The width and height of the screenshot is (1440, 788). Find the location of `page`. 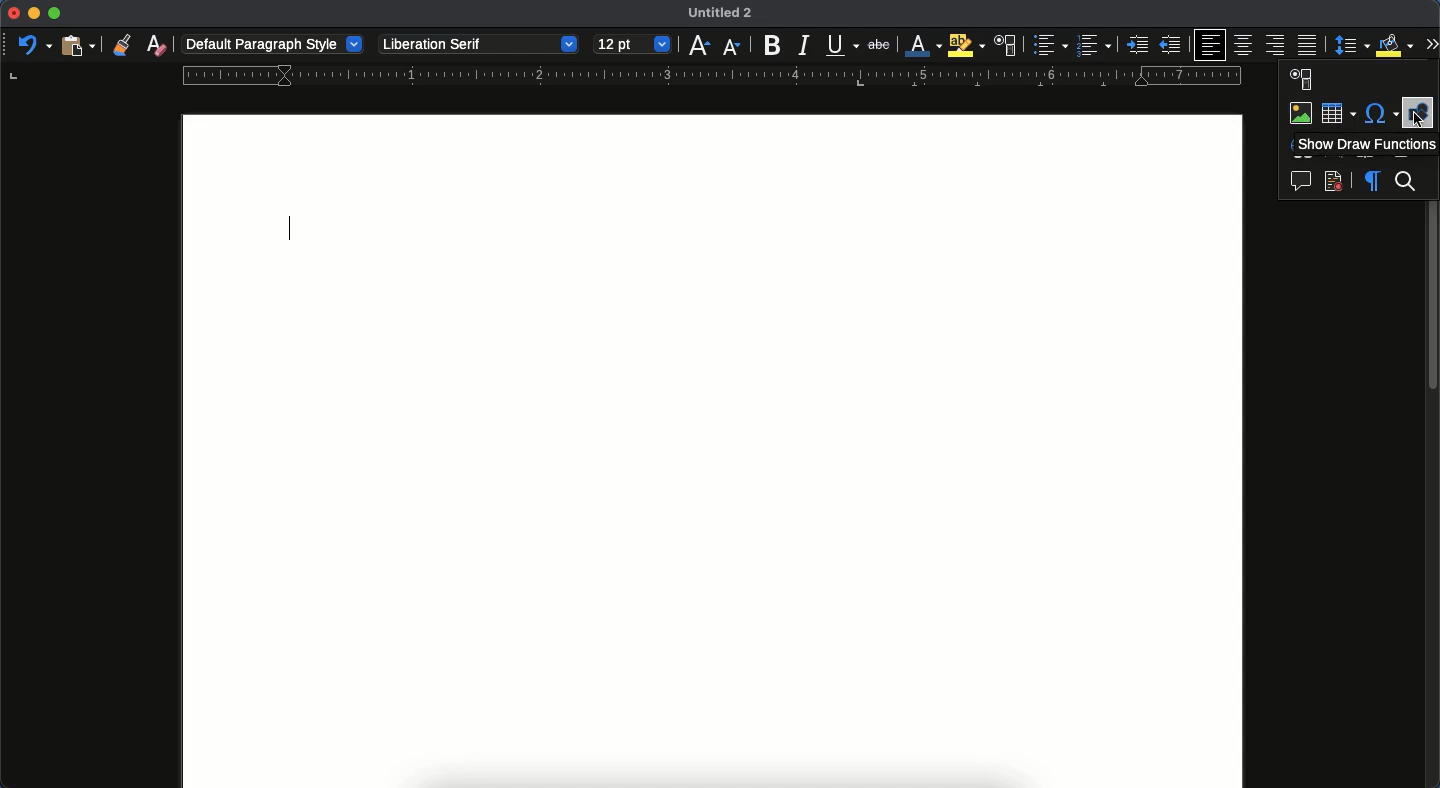

page is located at coordinates (713, 450).